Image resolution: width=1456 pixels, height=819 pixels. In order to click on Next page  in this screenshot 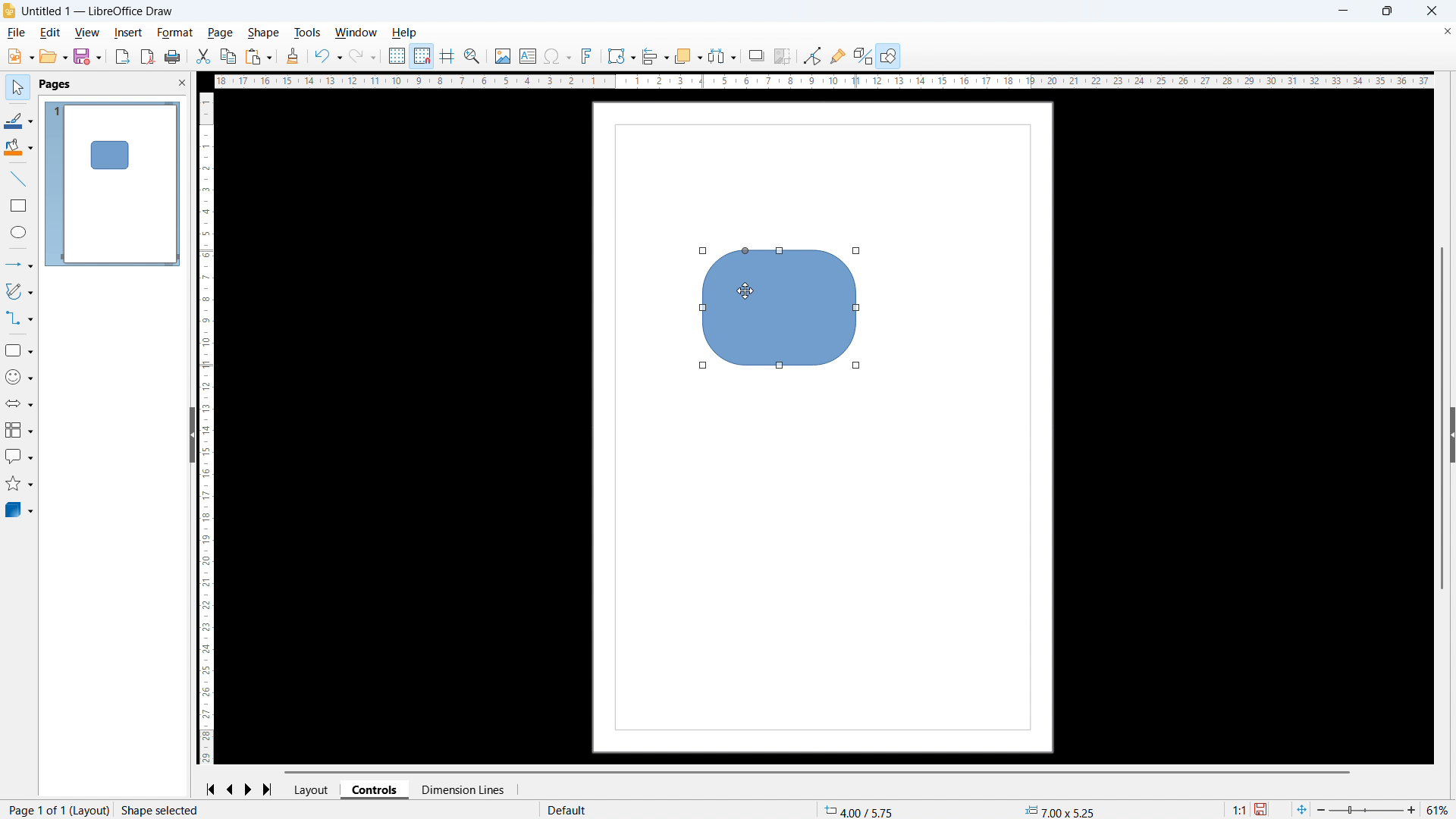, I will do `click(249, 790)`.